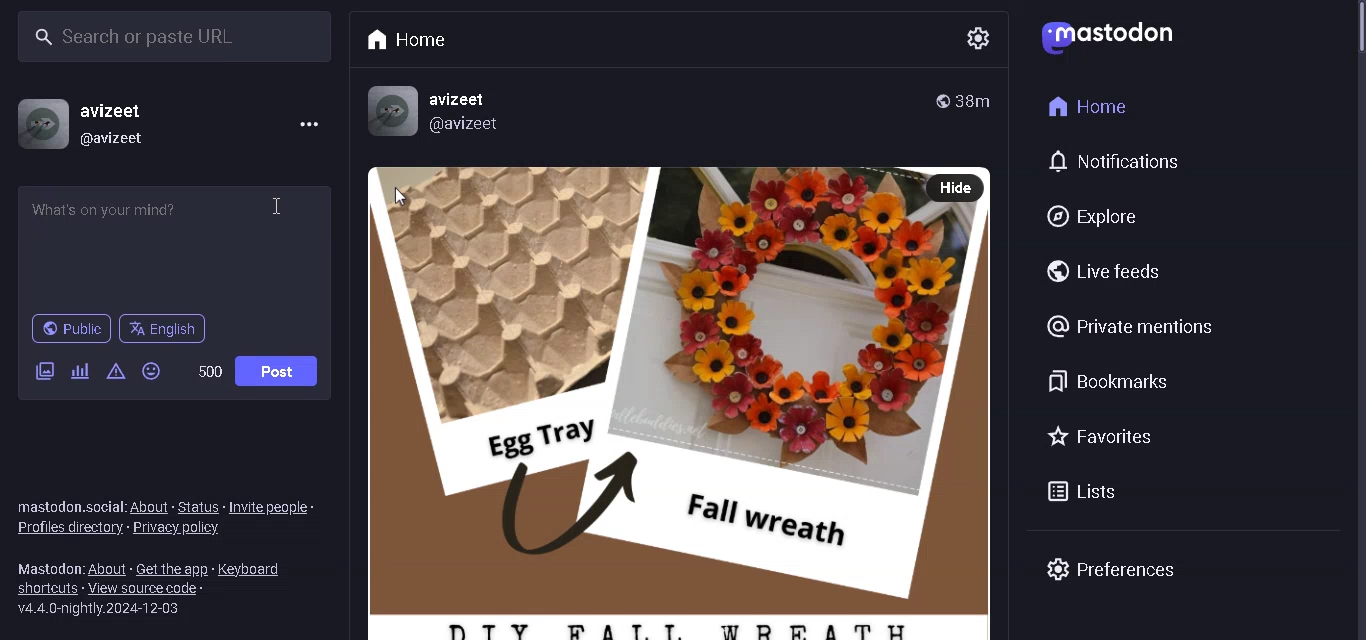  Describe the element at coordinates (176, 246) in the screenshot. I see `whats on your mind` at that location.